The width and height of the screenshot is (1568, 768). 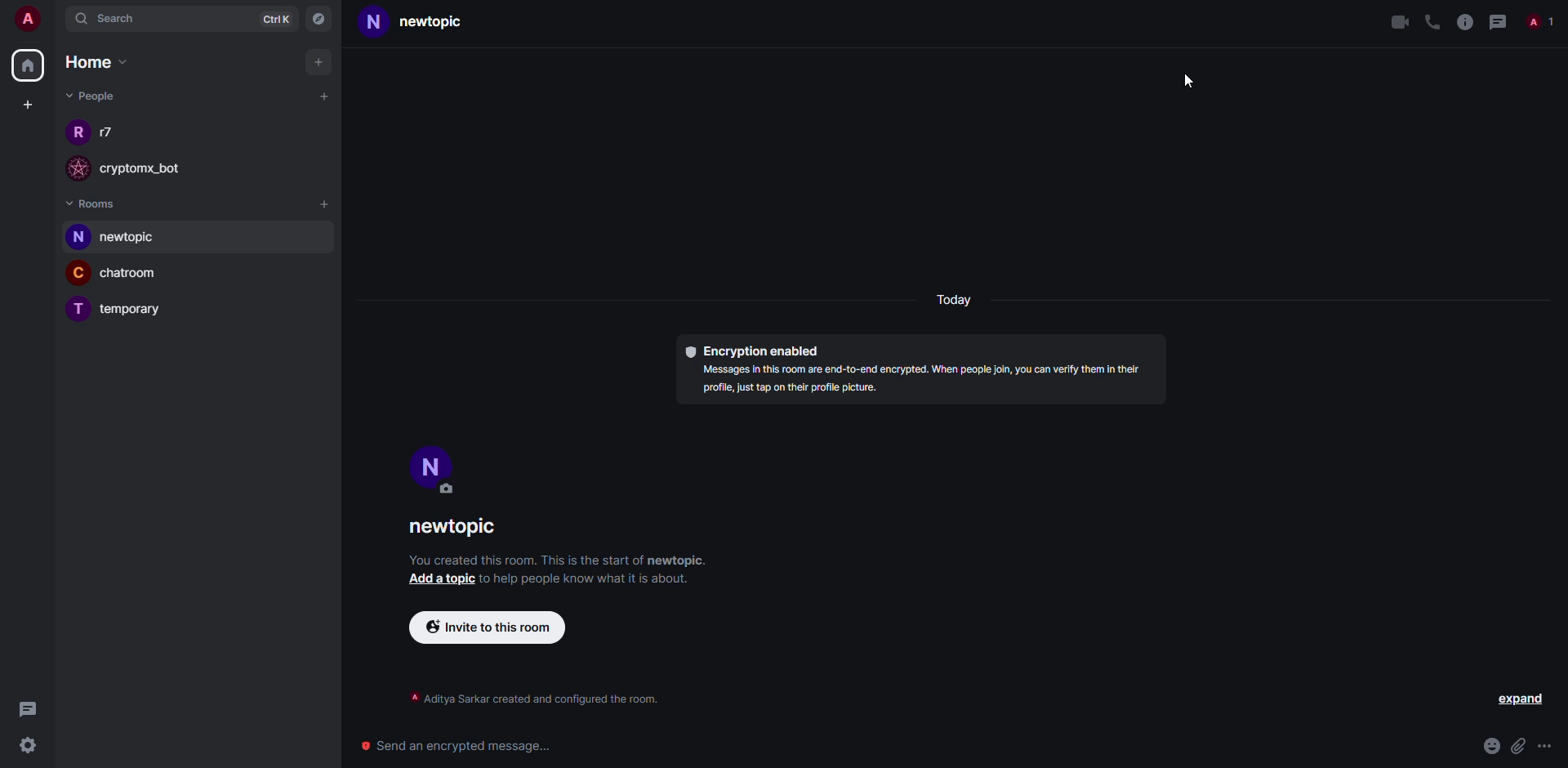 I want to click on add, so click(x=321, y=61).